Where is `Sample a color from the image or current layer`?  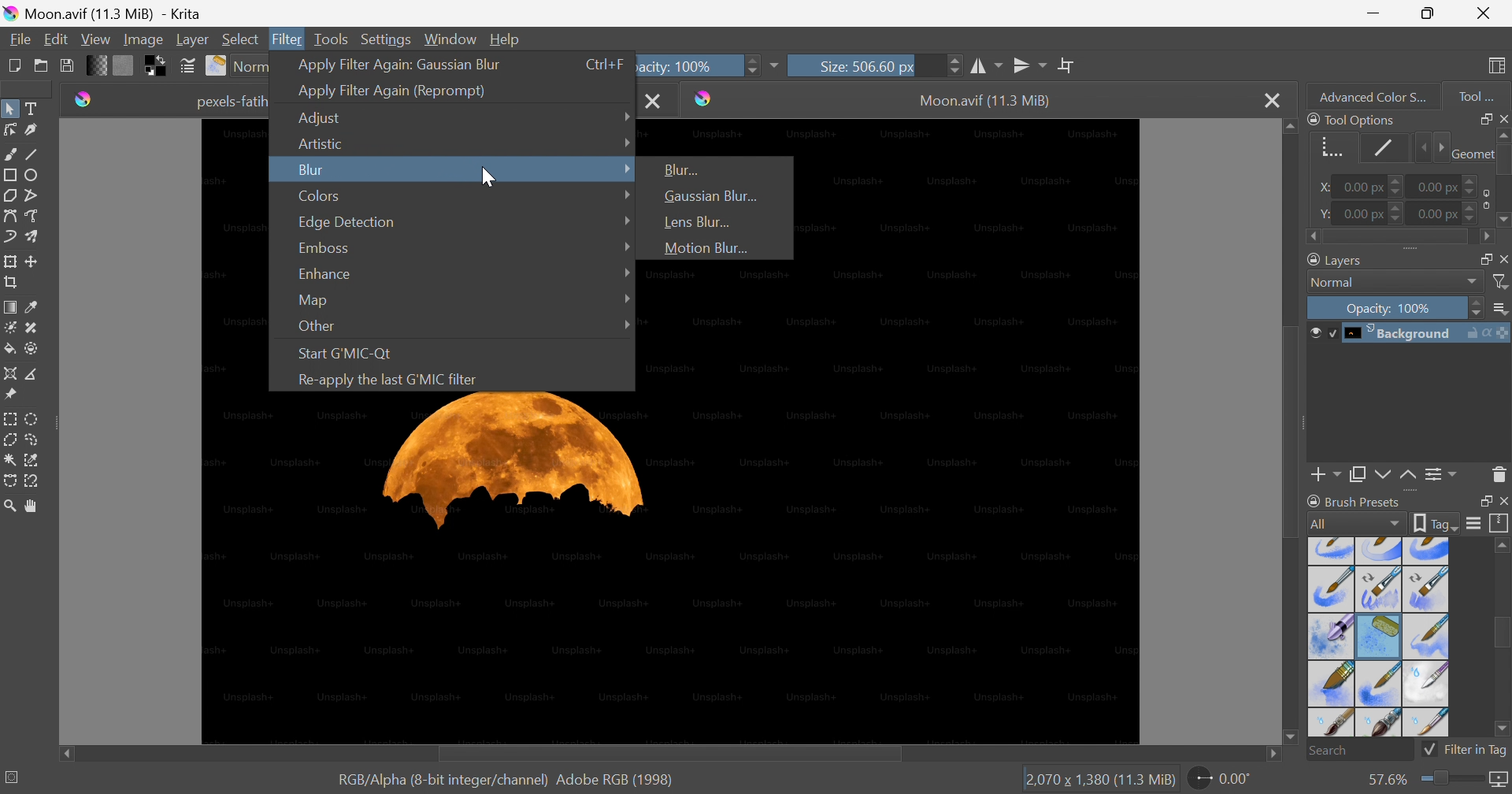
Sample a color from the image or current layer is located at coordinates (31, 304).